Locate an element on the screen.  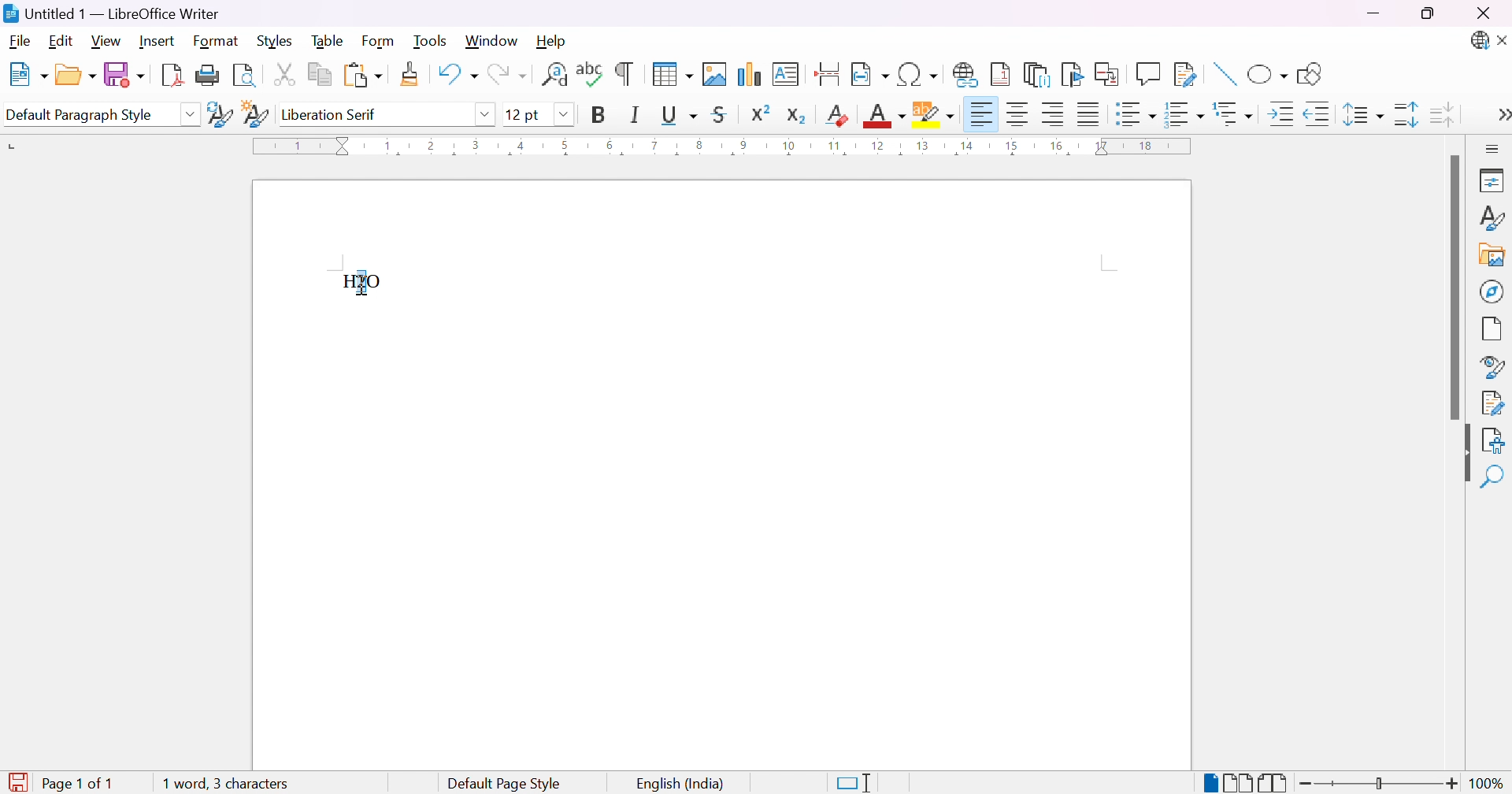
Insert image is located at coordinates (1493, 257).